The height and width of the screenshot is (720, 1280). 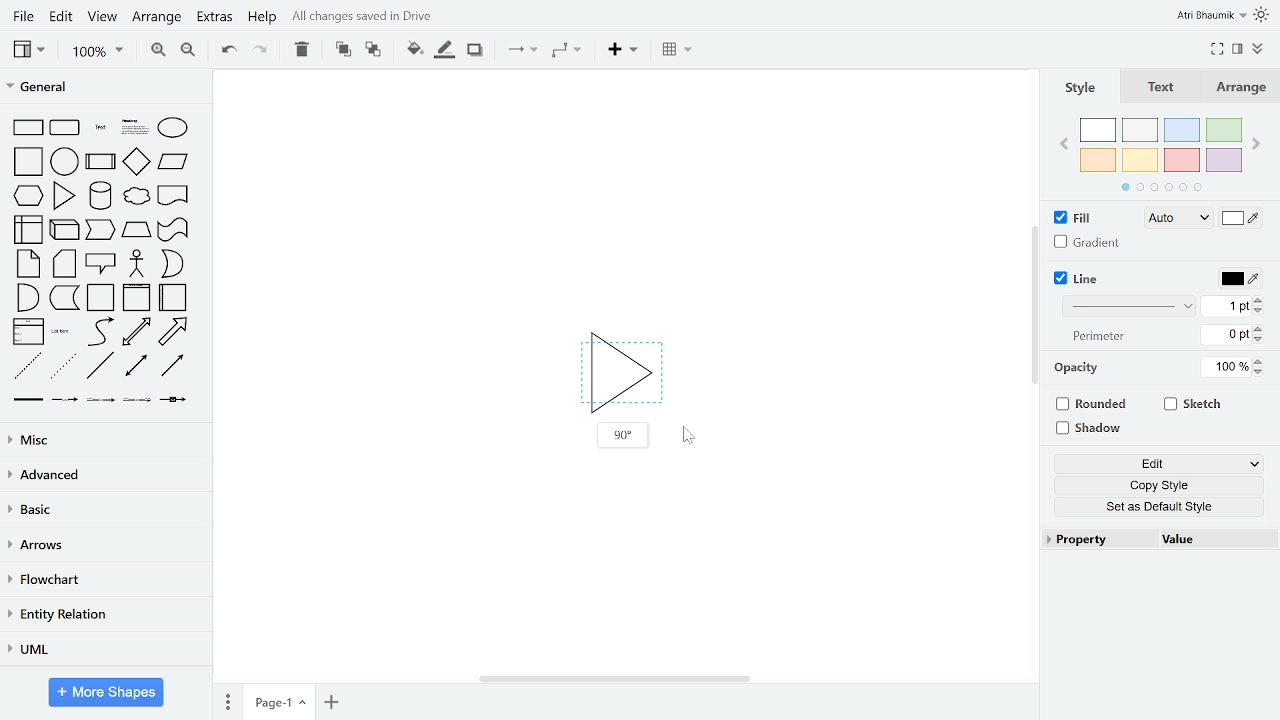 I want to click on arrange, so click(x=158, y=17).